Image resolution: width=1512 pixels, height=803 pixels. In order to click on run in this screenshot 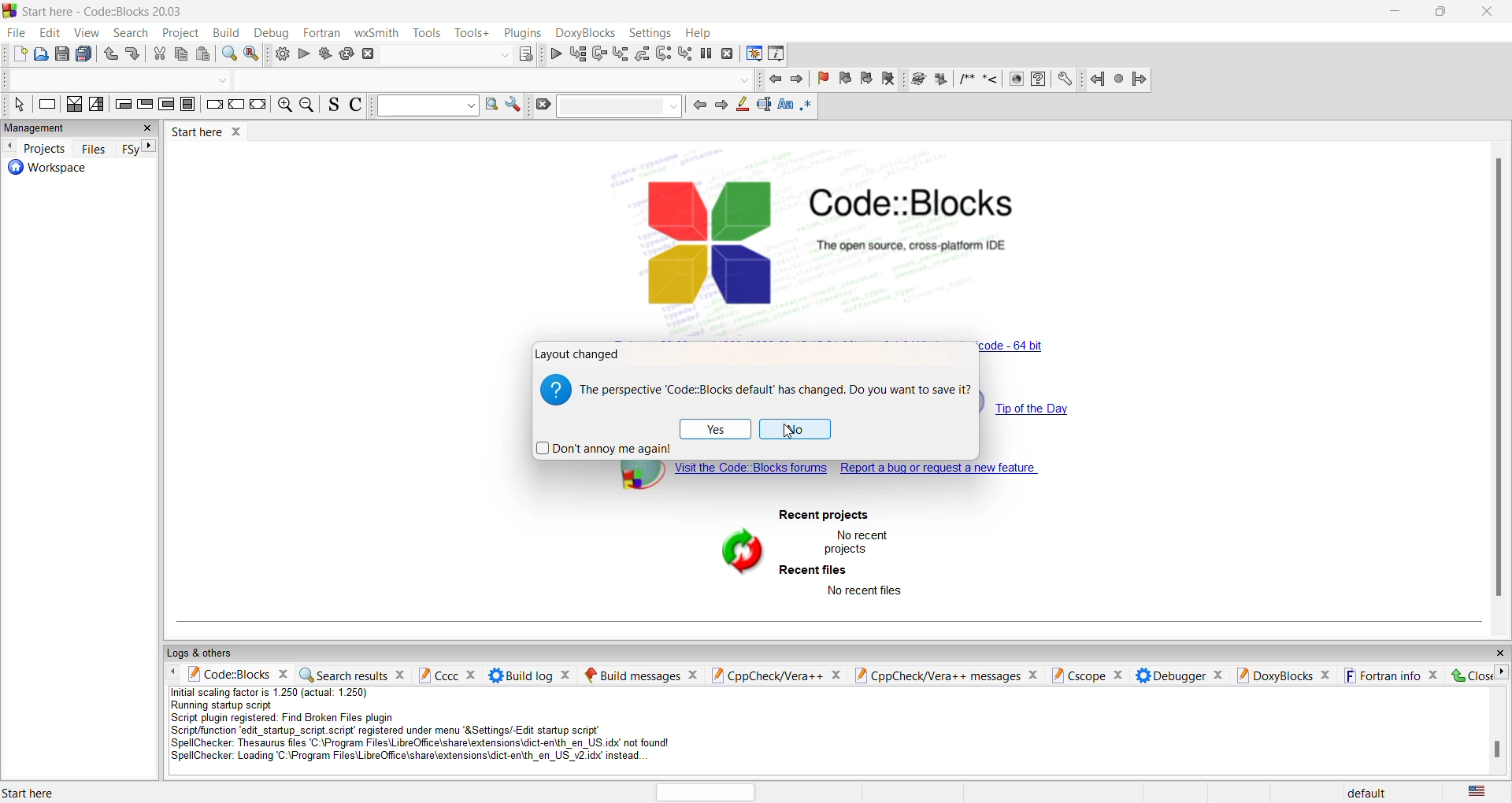, I will do `click(939, 80)`.